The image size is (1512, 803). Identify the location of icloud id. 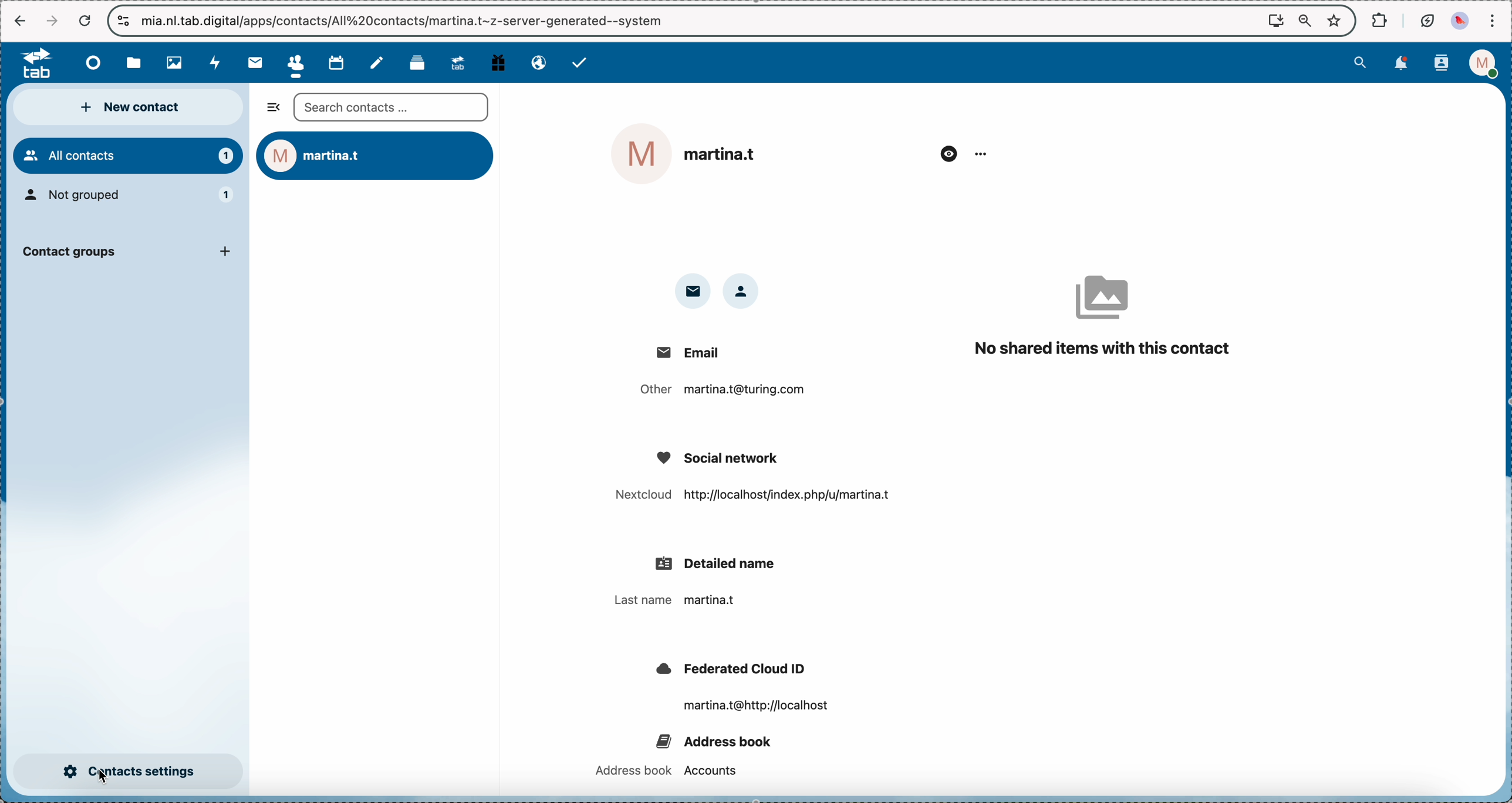
(743, 689).